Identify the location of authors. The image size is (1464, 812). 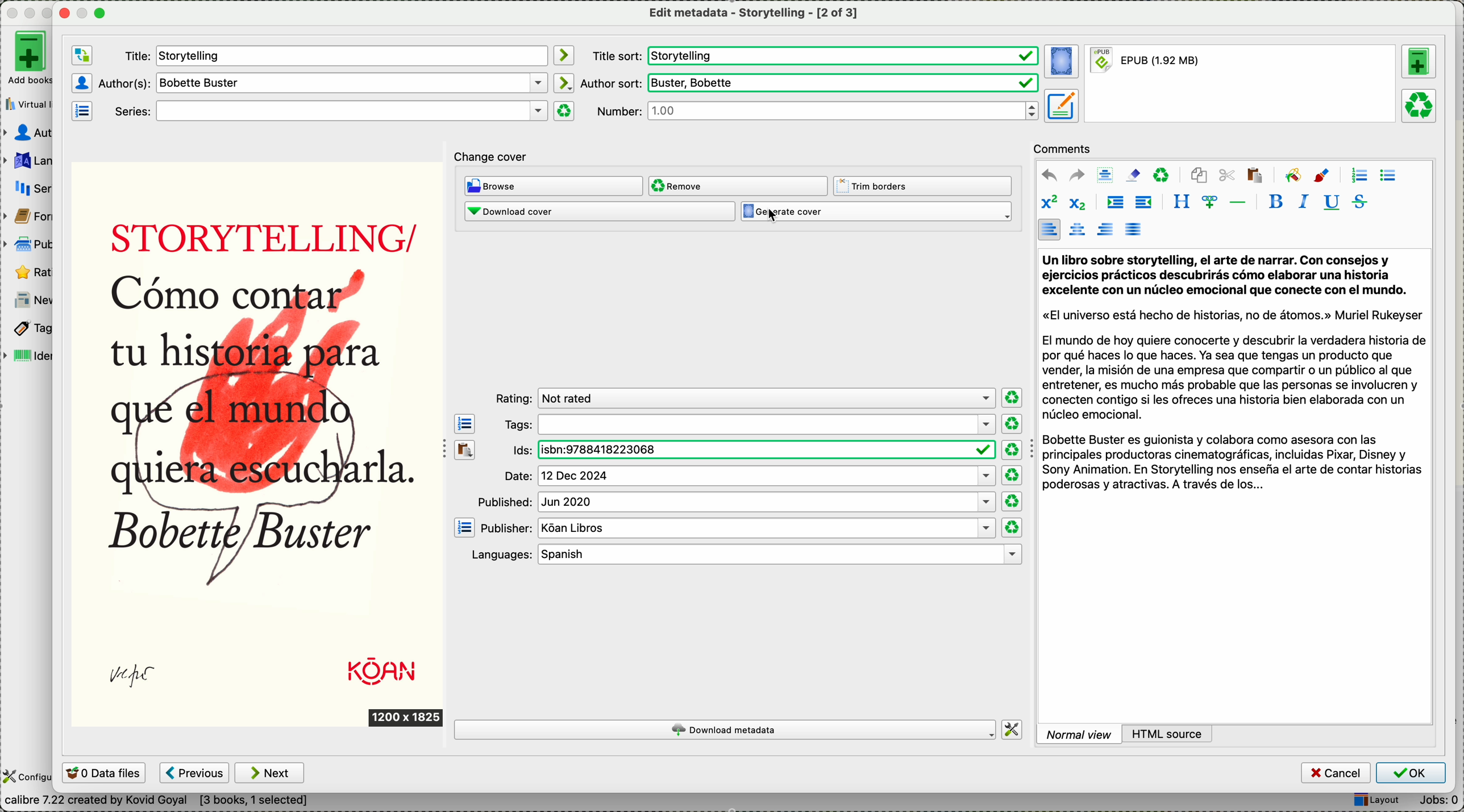
(30, 132).